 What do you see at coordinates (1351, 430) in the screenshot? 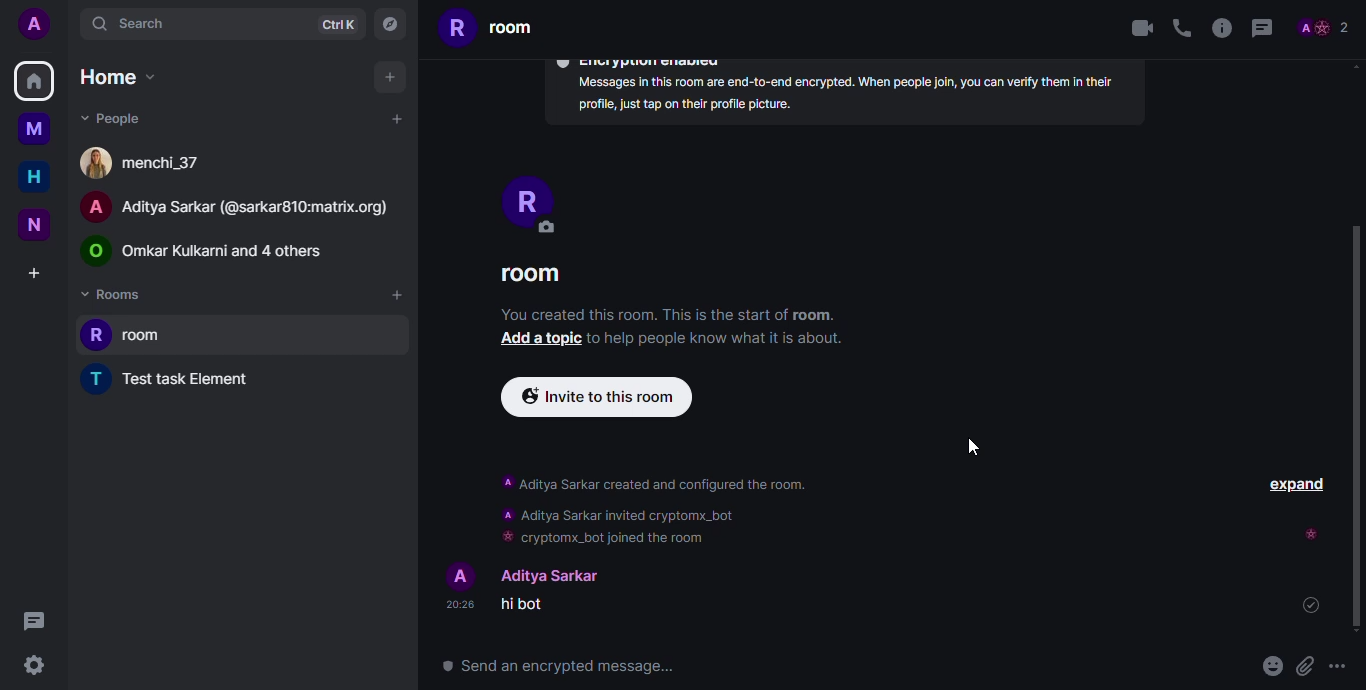
I see `Scrollbar` at bounding box center [1351, 430].